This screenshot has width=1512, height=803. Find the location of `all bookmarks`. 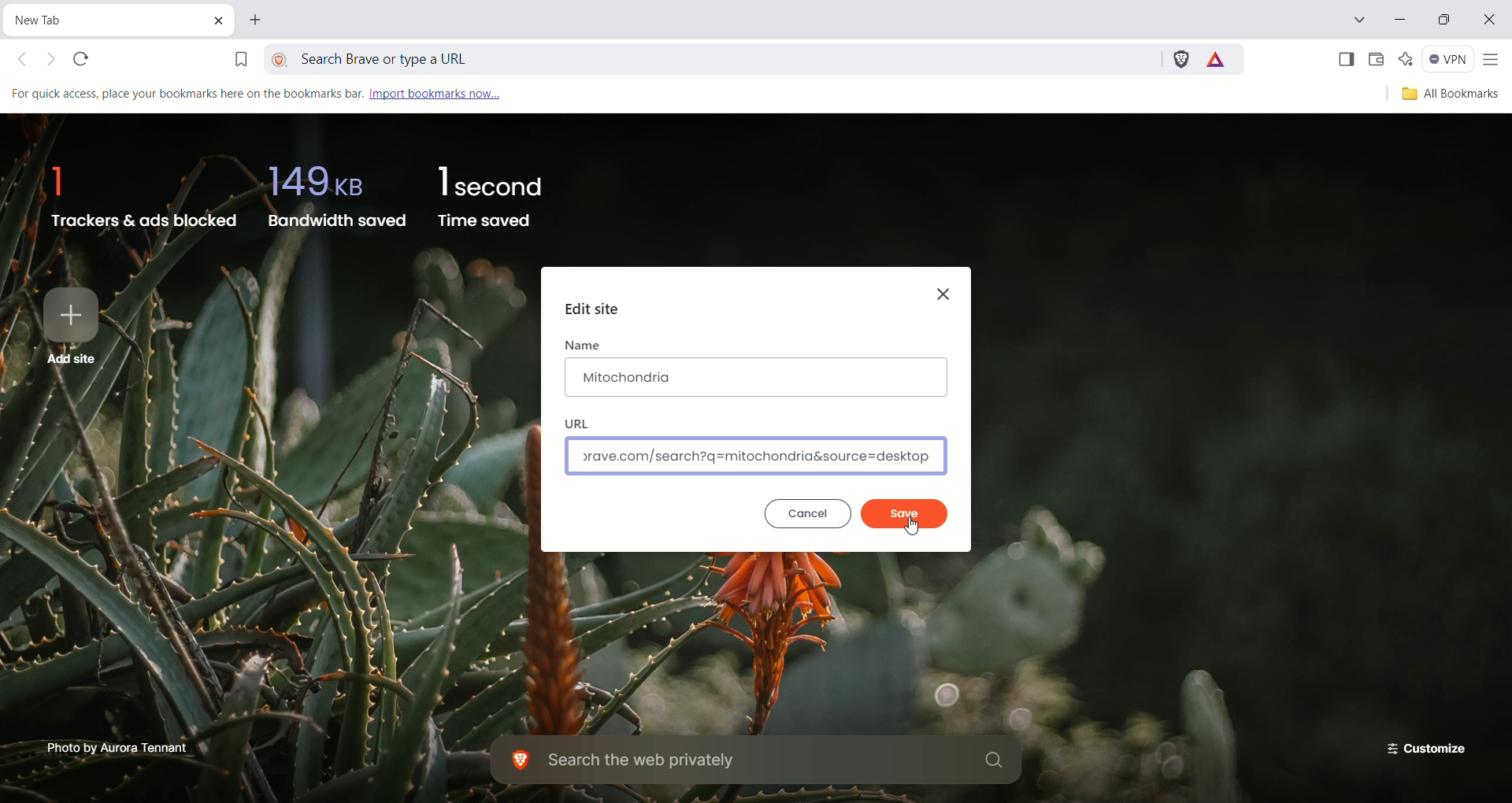

all bookmarks is located at coordinates (1447, 95).